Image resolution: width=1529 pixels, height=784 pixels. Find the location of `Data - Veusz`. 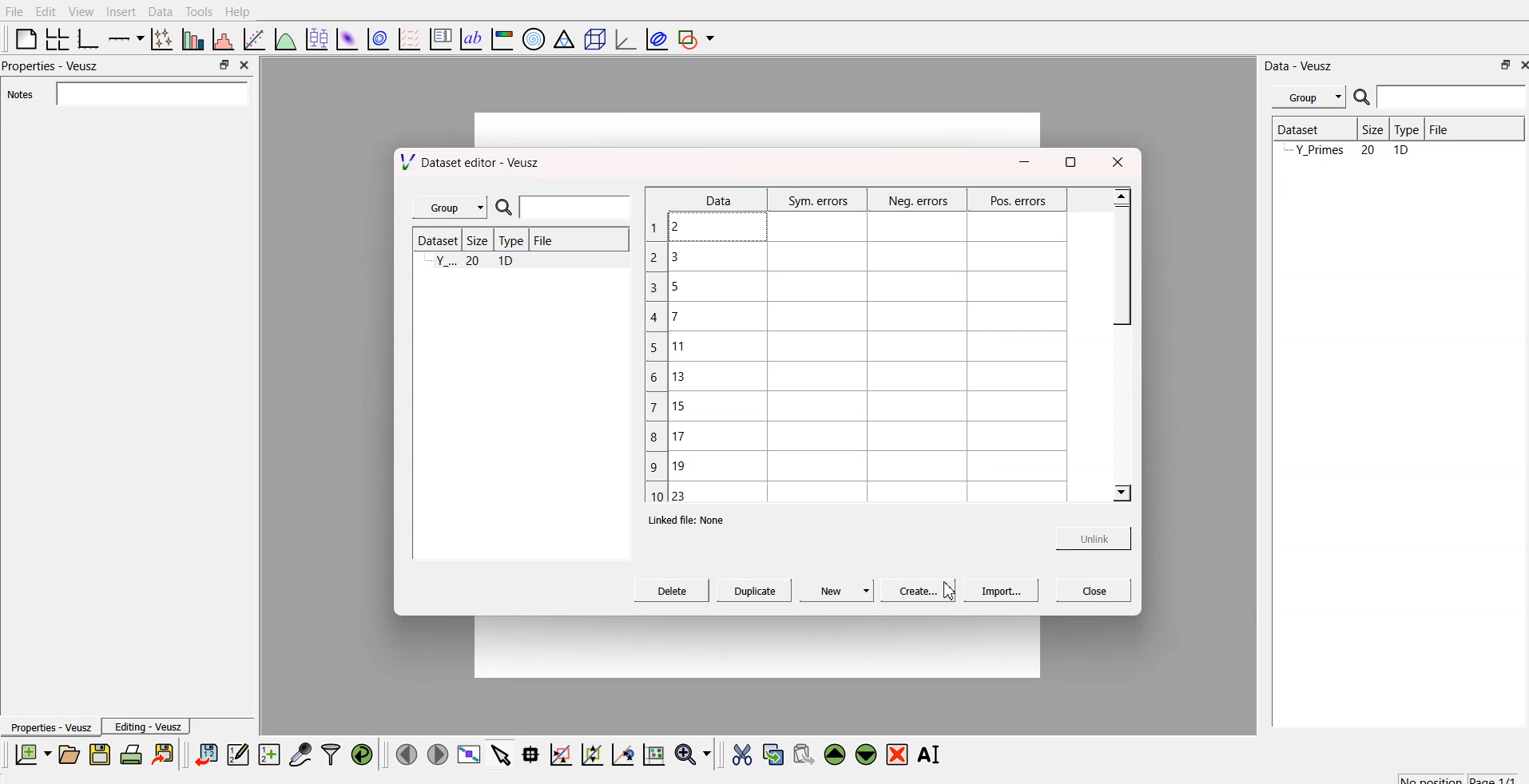

Data - Veusz is located at coordinates (1301, 63).